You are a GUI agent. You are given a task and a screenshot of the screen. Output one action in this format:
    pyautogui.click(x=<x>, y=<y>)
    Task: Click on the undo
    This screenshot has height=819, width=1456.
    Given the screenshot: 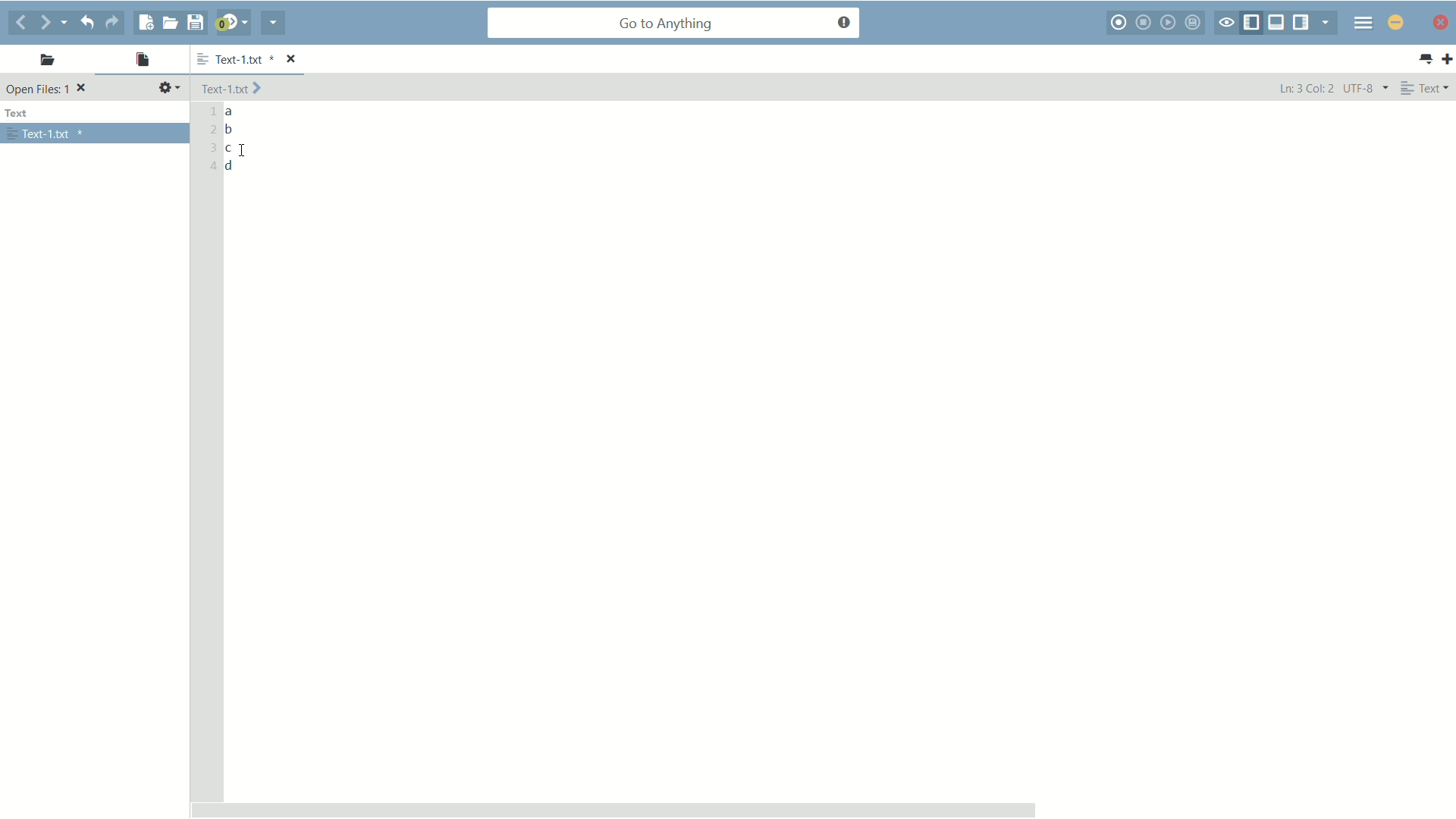 What is the action you would take?
    pyautogui.click(x=90, y=22)
    